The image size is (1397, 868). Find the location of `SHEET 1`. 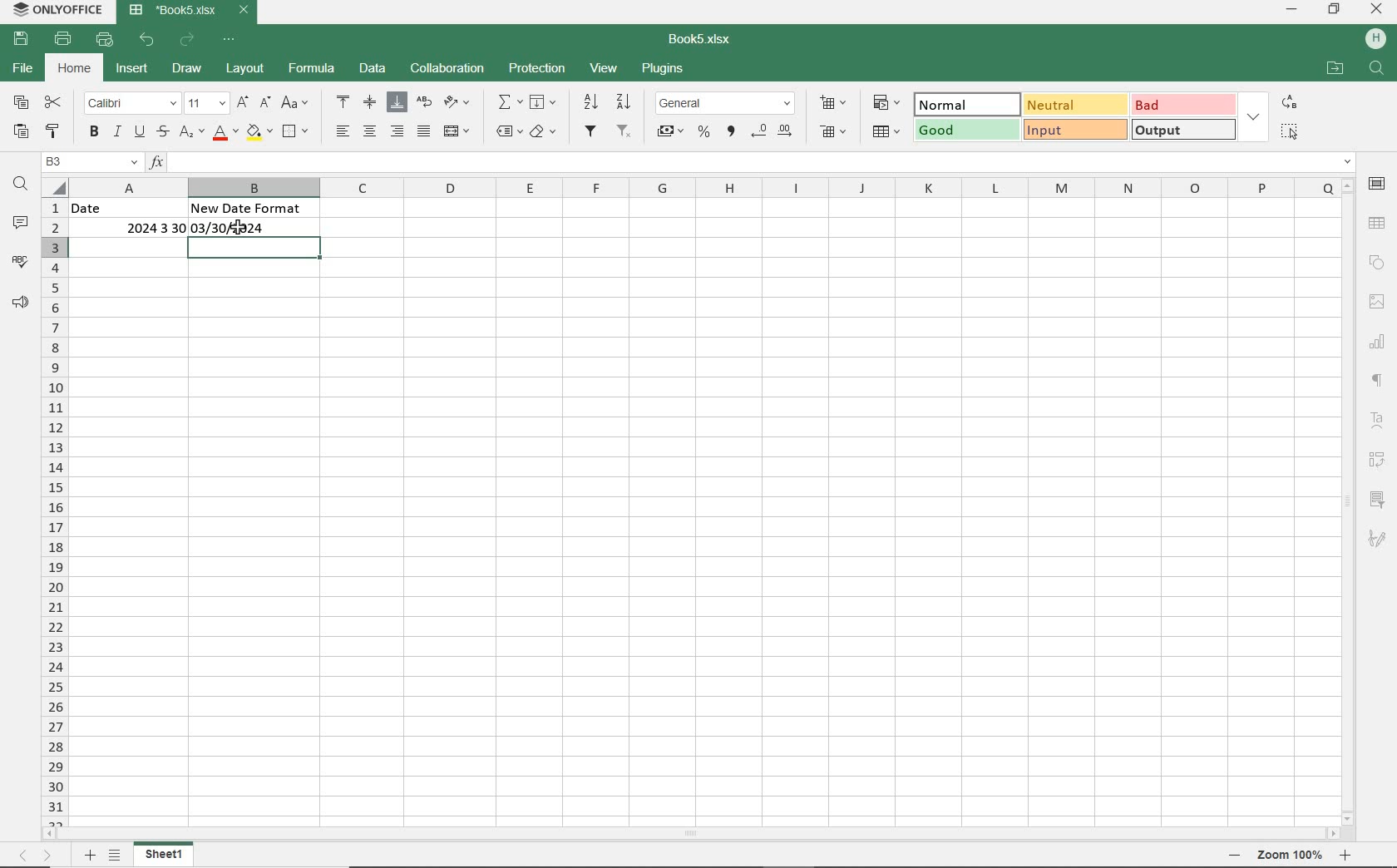

SHEET 1 is located at coordinates (165, 854).